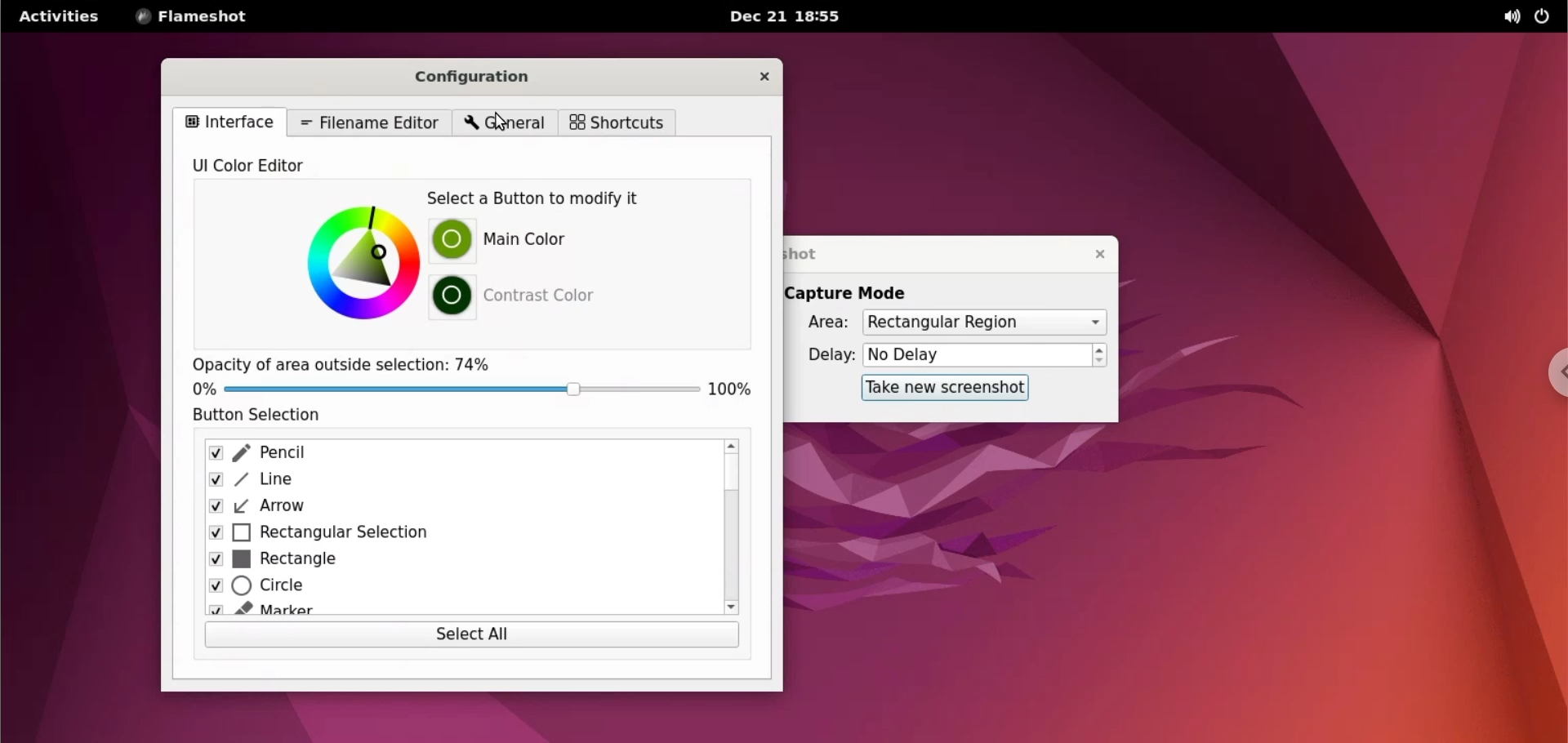  What do you see at coordinates (547, 199) in the screenshot?
I see `select a button to modify it` at bounding box center [547, 199].